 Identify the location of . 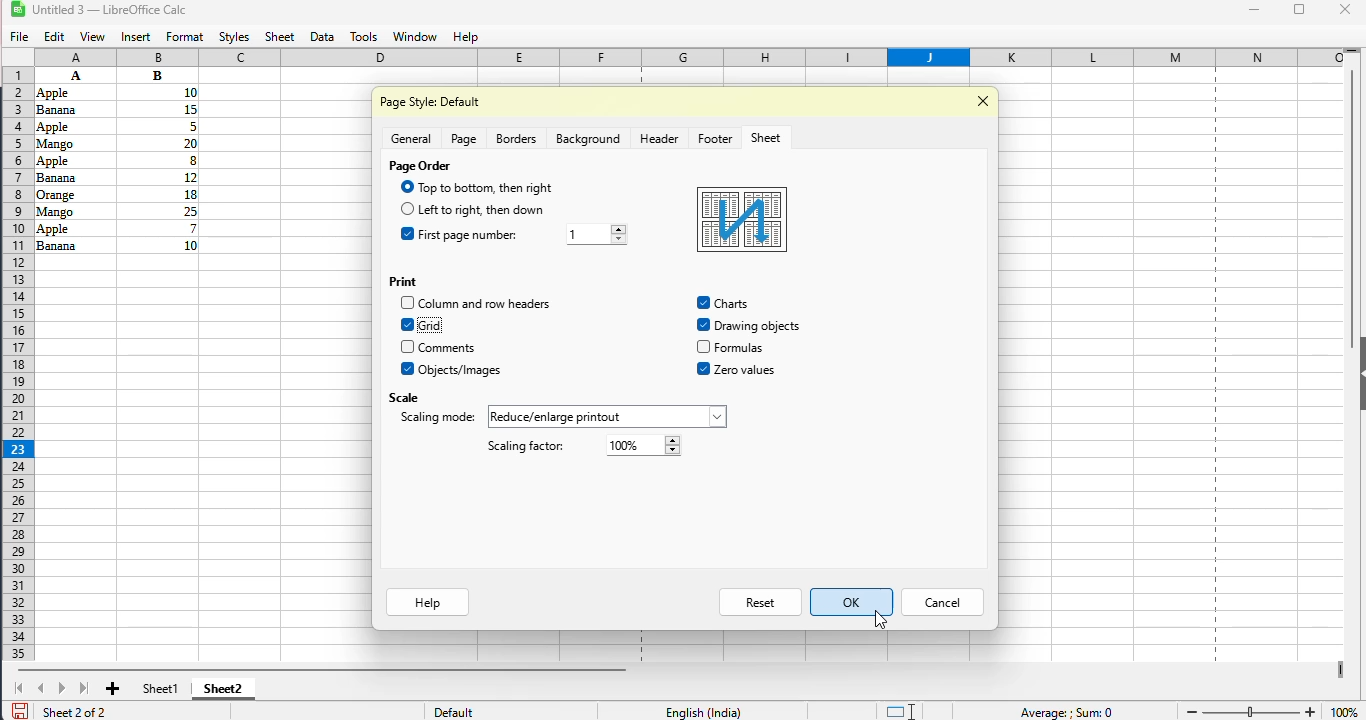
(158, 159).